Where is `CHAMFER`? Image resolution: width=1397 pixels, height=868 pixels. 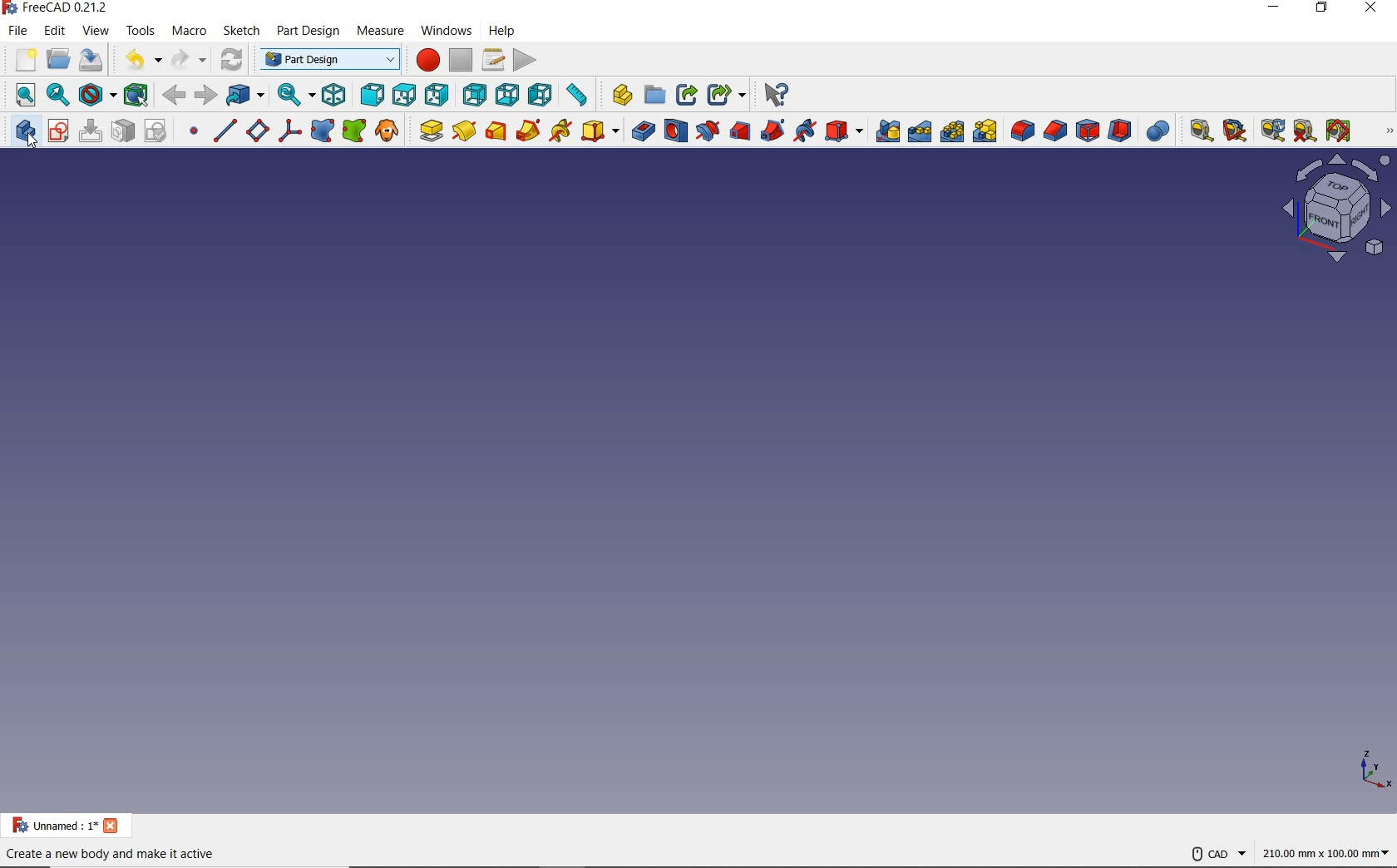 CHAMFER is located at coordinates (1055, 131).